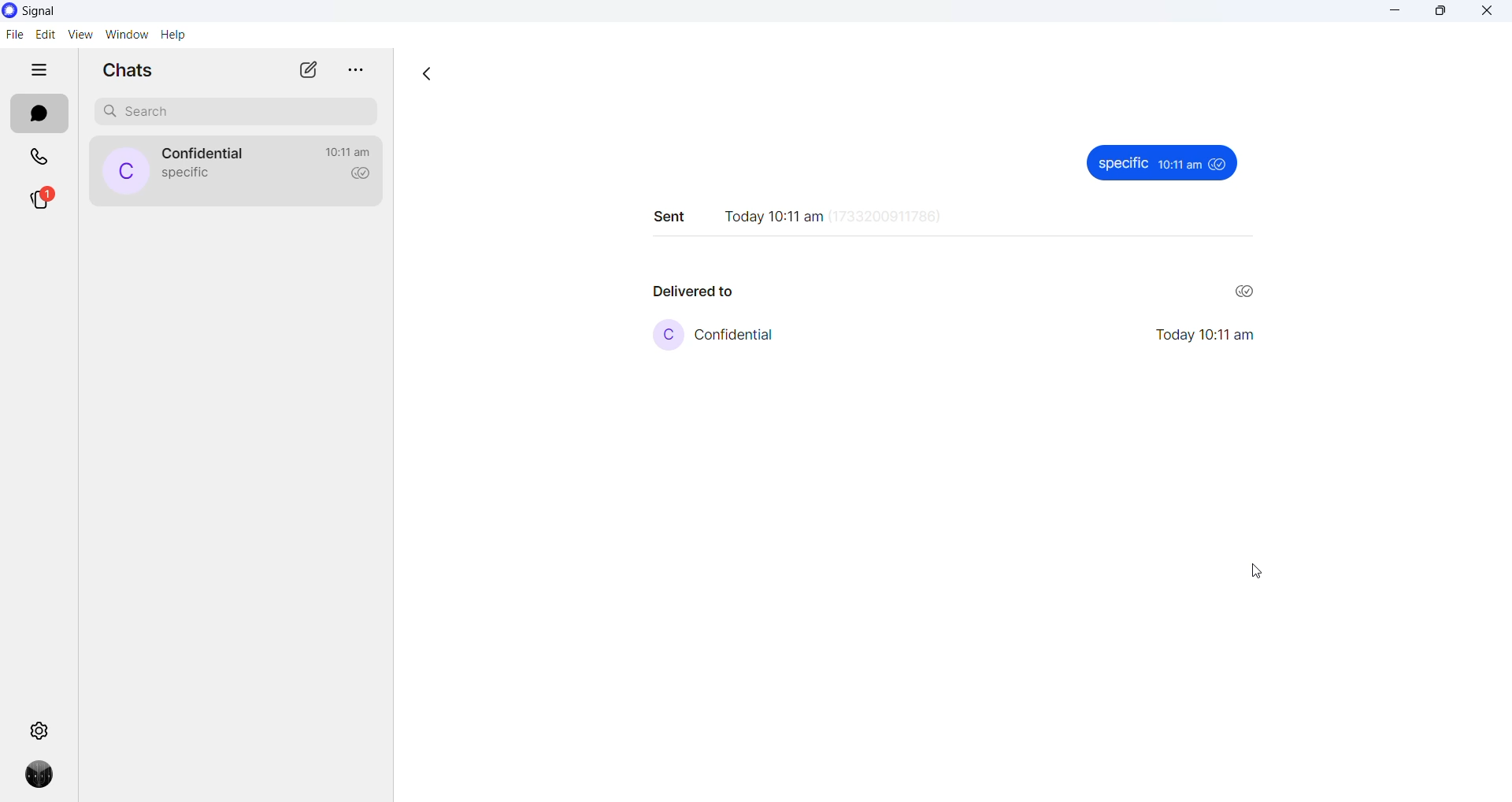 Image resolution: width=1512 pixels, height=802 pixels. I want to click on help, so click(172, 36).